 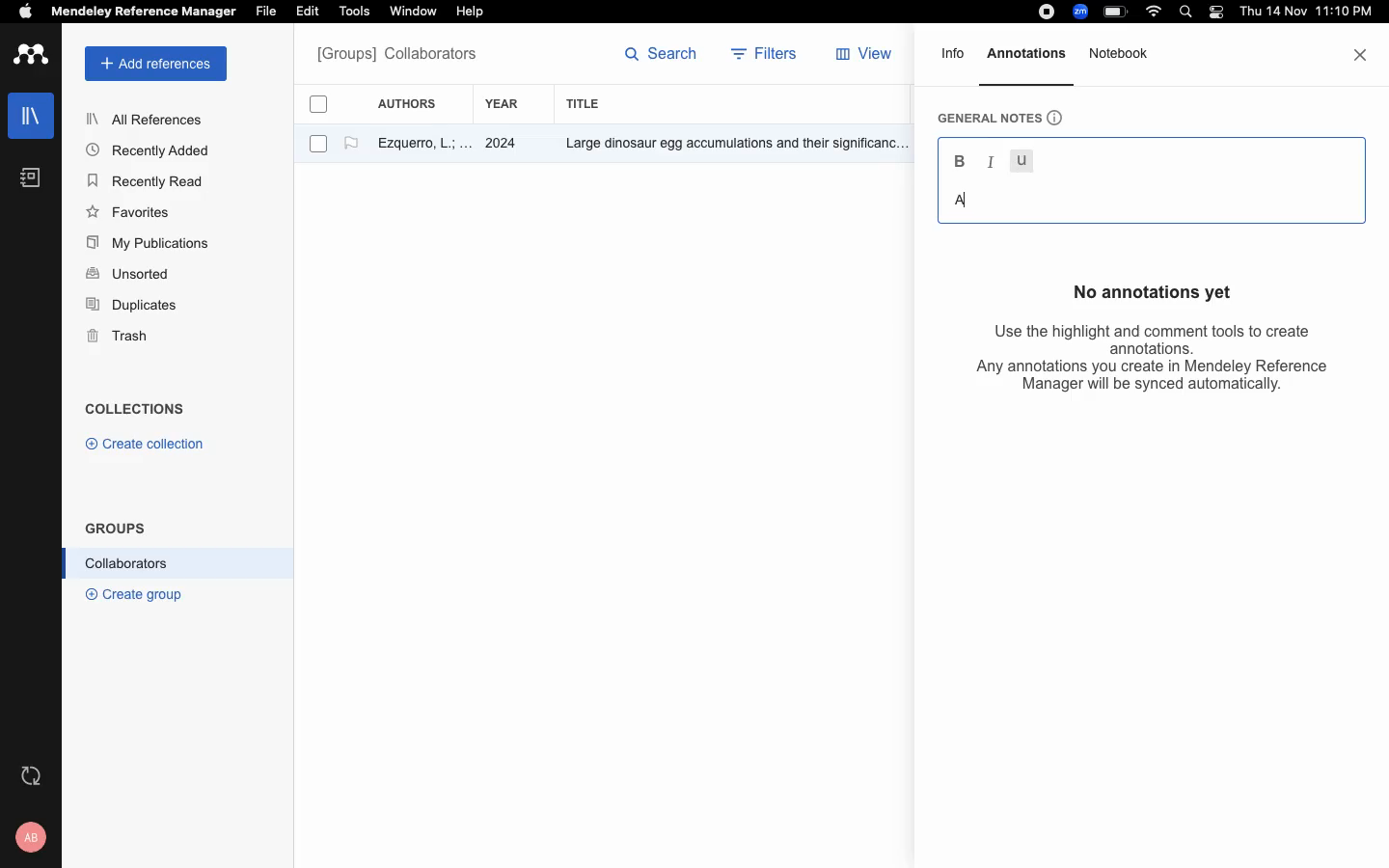 I want to click on Help, so click(x=468, y=13).